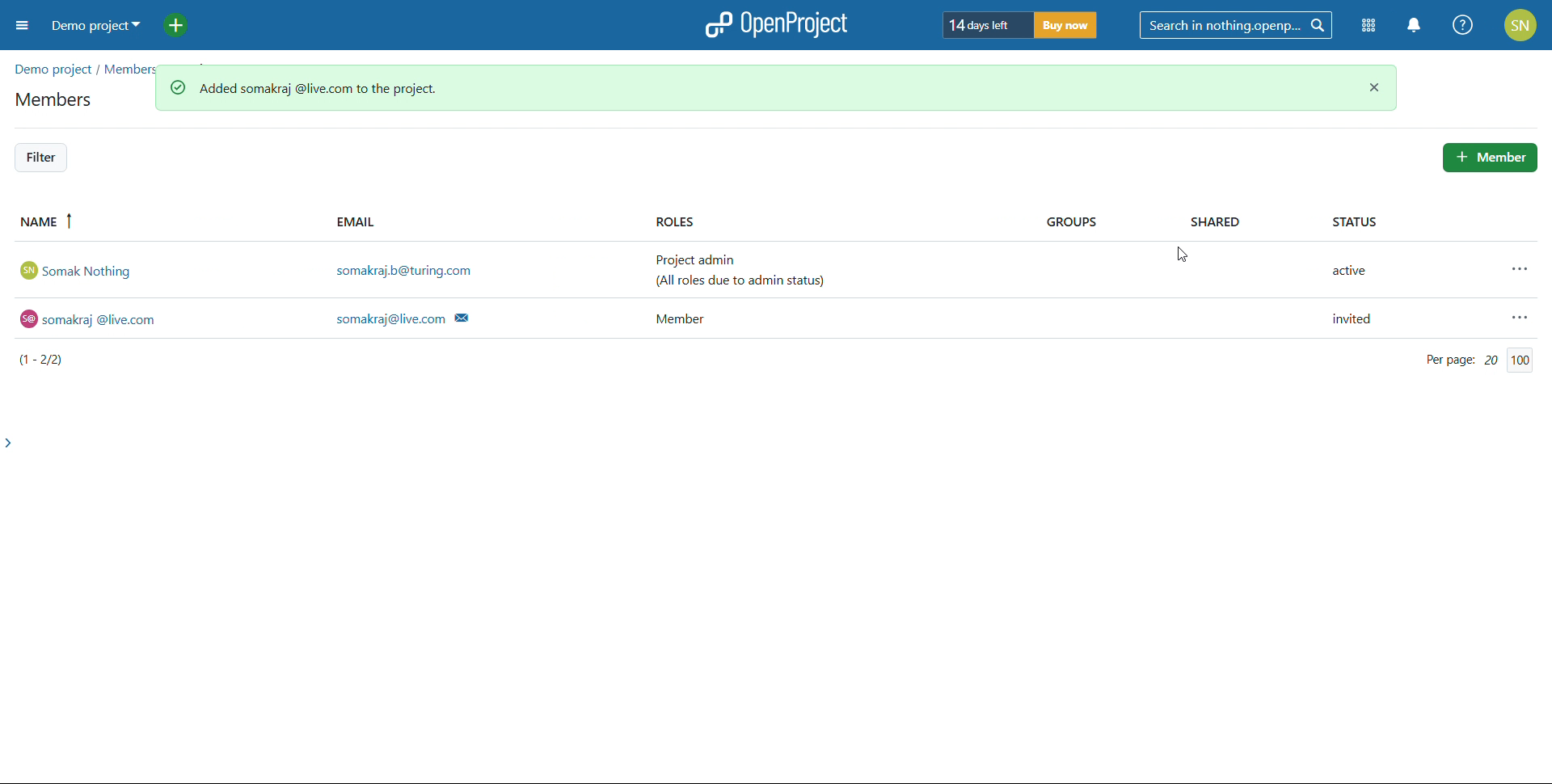 The height and width of the screenshot is (784, 1552). What do you see at coordinates (94, 320) in the screenshot?
I see `© somakraj @live.com` at bounding box center [94, 320].